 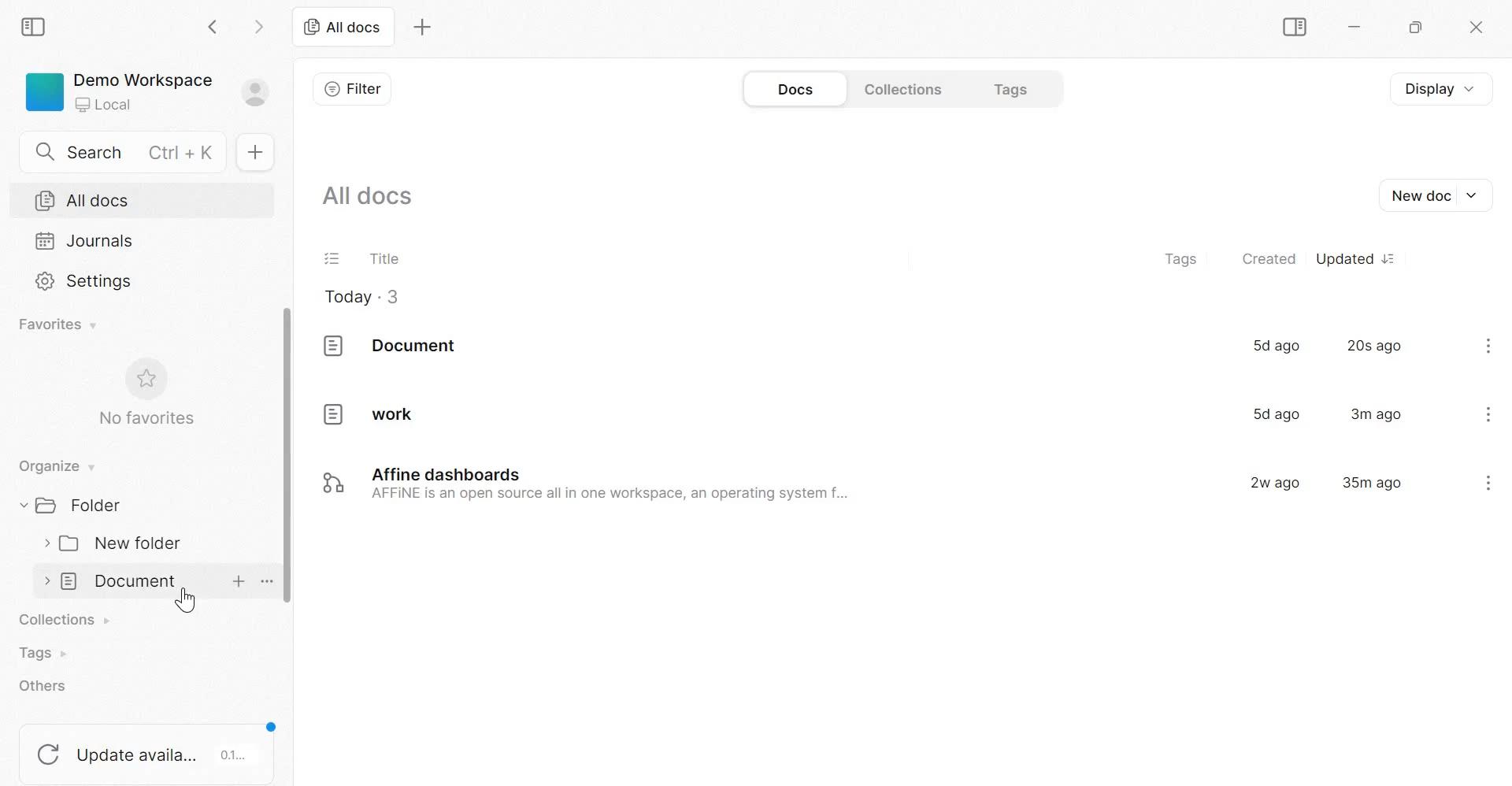 What do you see at coordinates (362, 297) in the screenshot?
I see `Today . 3` at bounding box center [362, 297].